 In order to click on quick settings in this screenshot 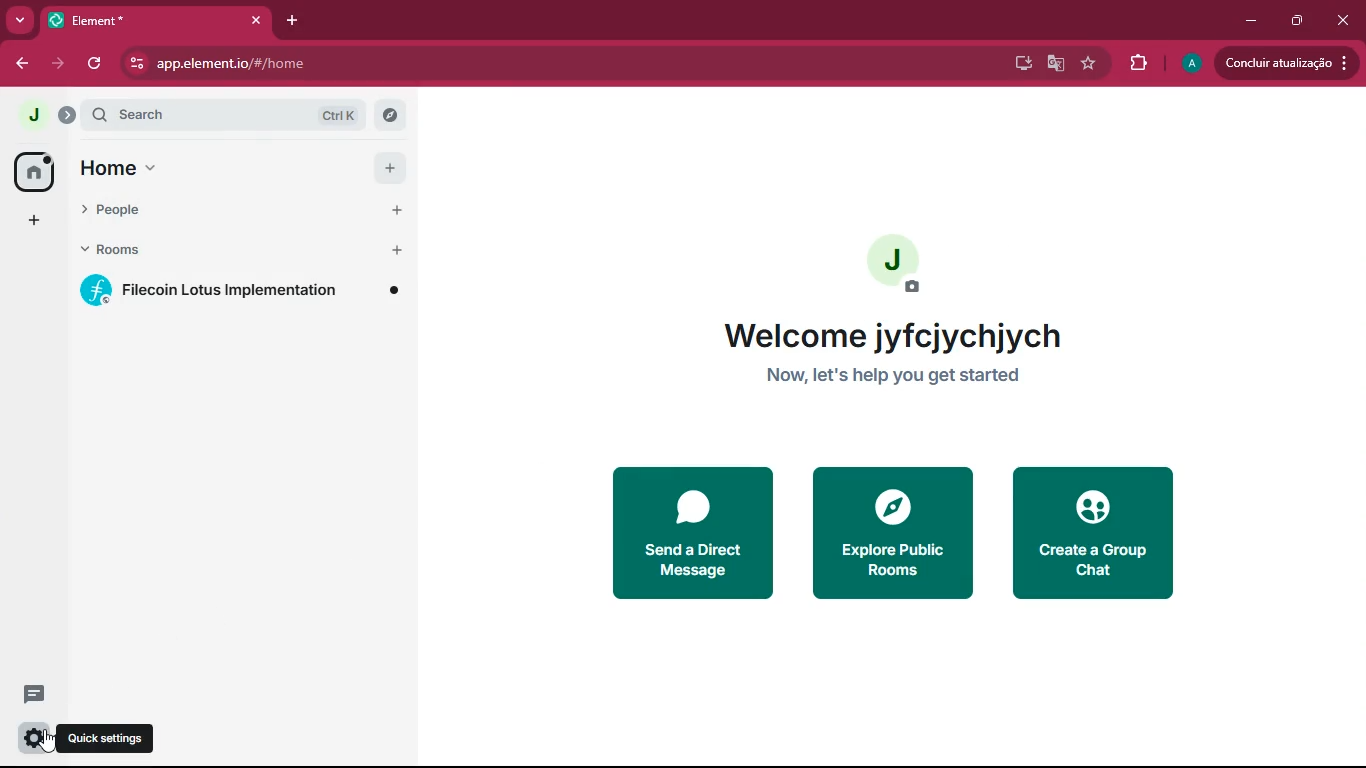, I will do `click(32, 735)`.